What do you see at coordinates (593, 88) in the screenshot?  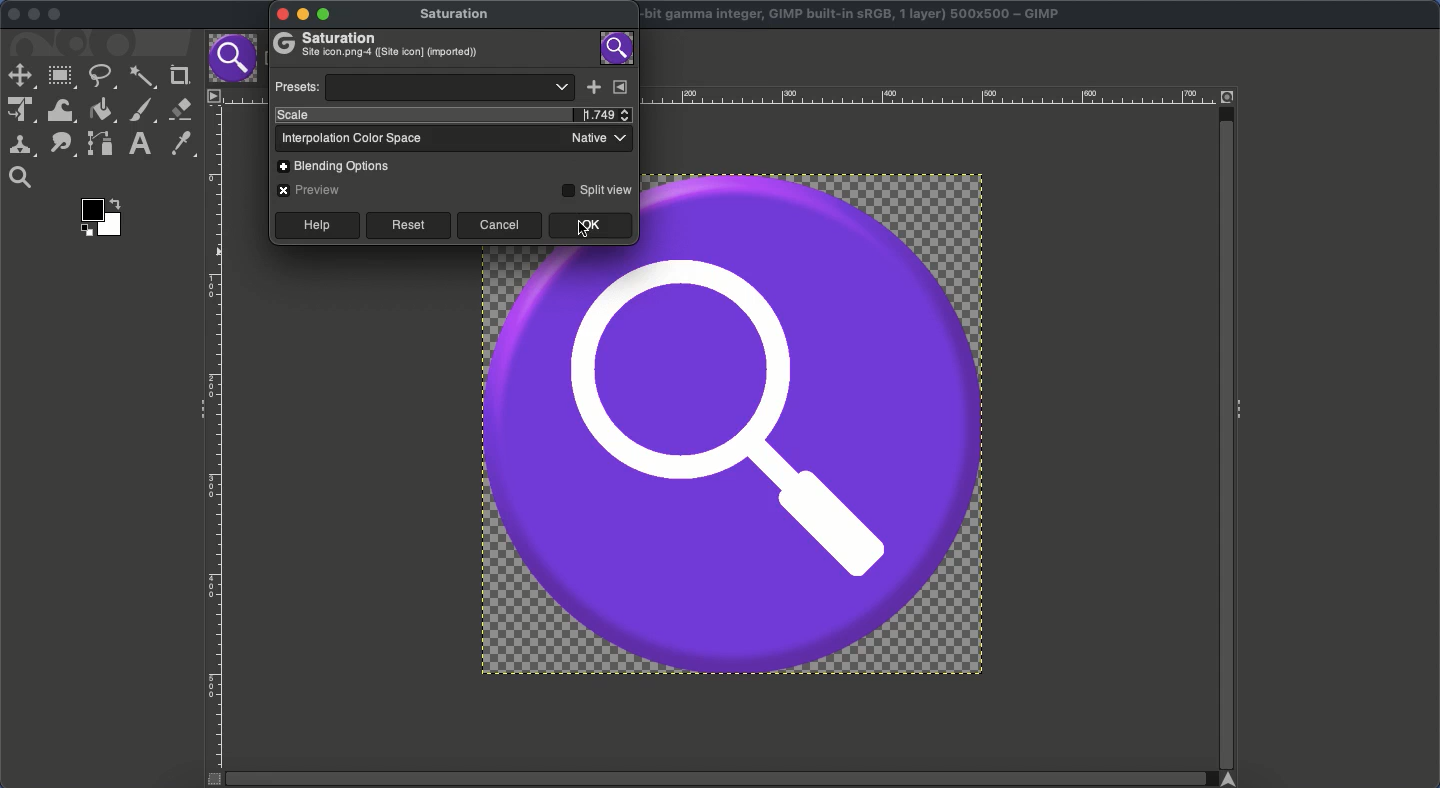 I see `Add` at bounding box center [593, 88].